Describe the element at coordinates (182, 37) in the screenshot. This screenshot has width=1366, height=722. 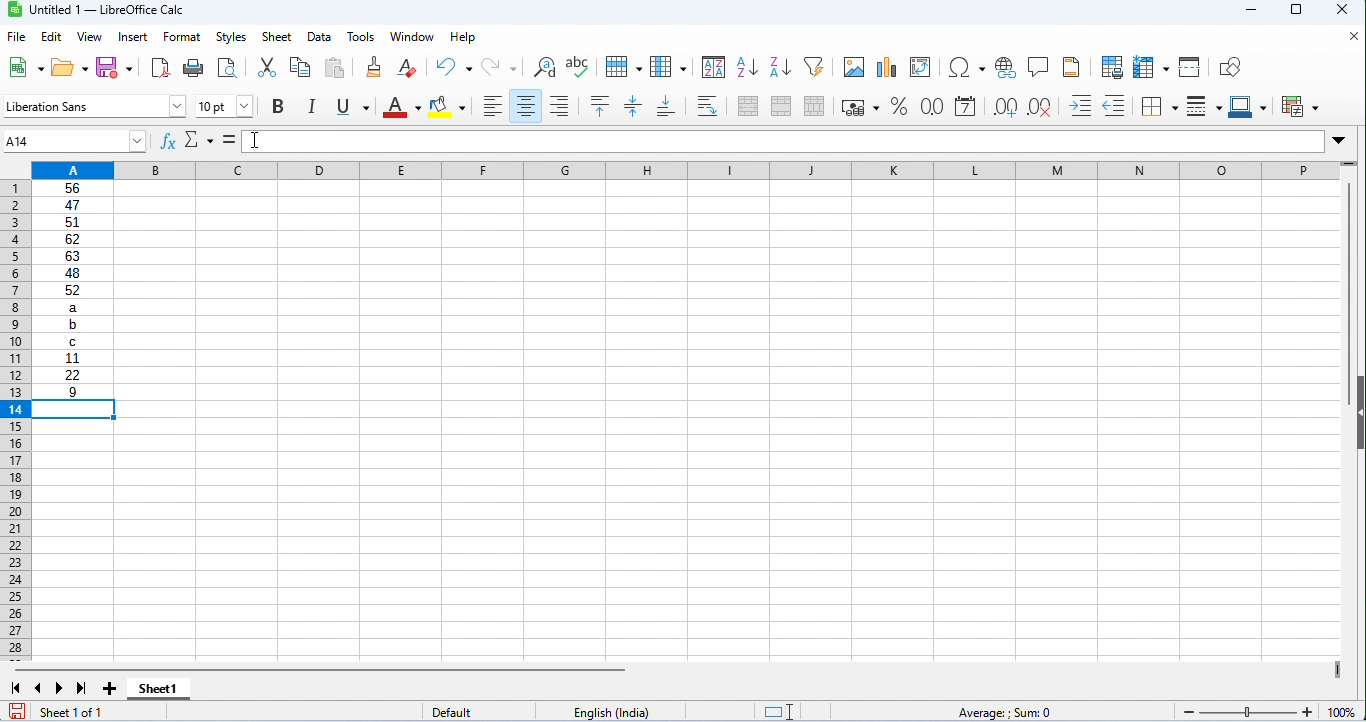
I see `format` at that location.